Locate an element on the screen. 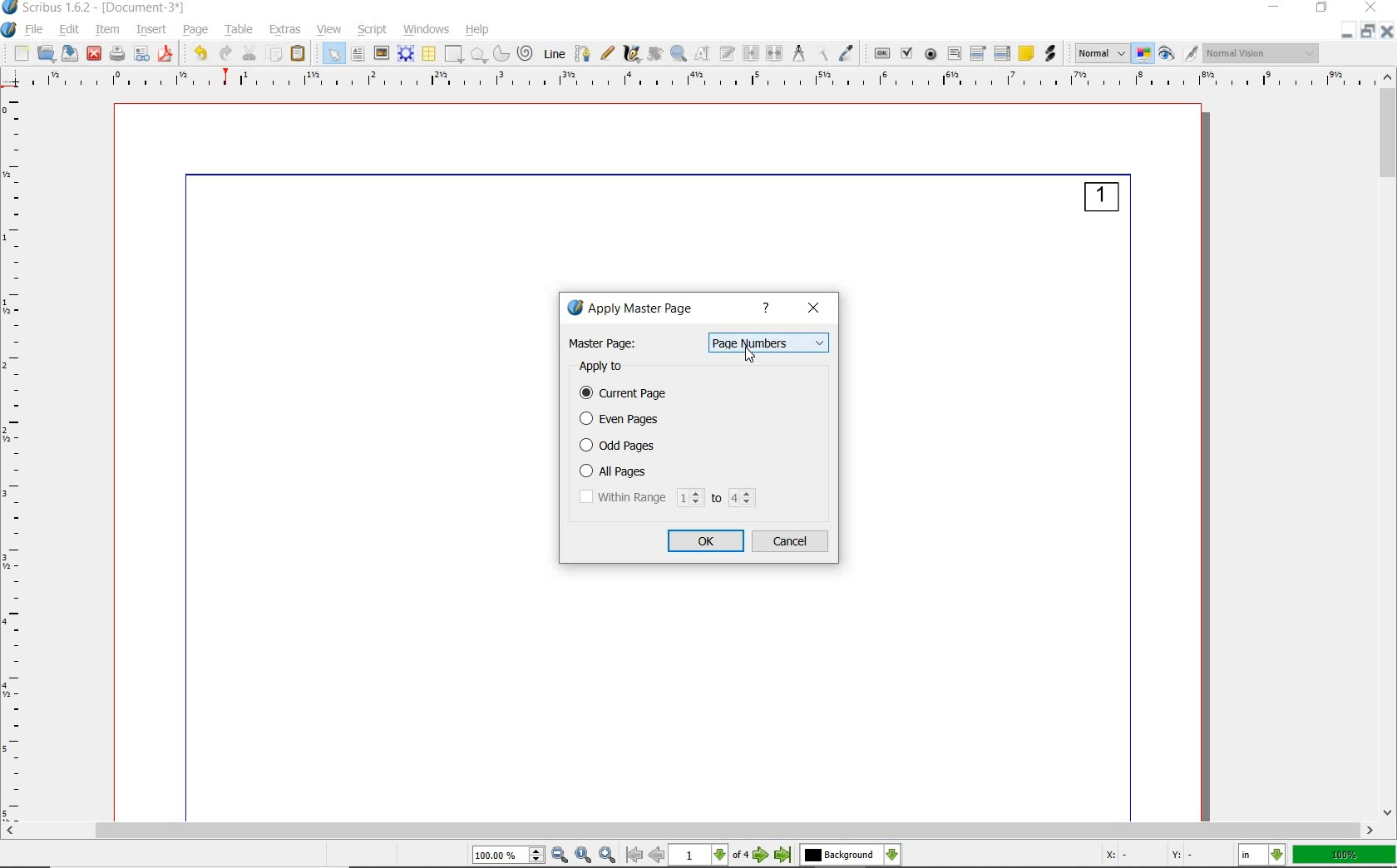  print is located at coordinates (118, 54).